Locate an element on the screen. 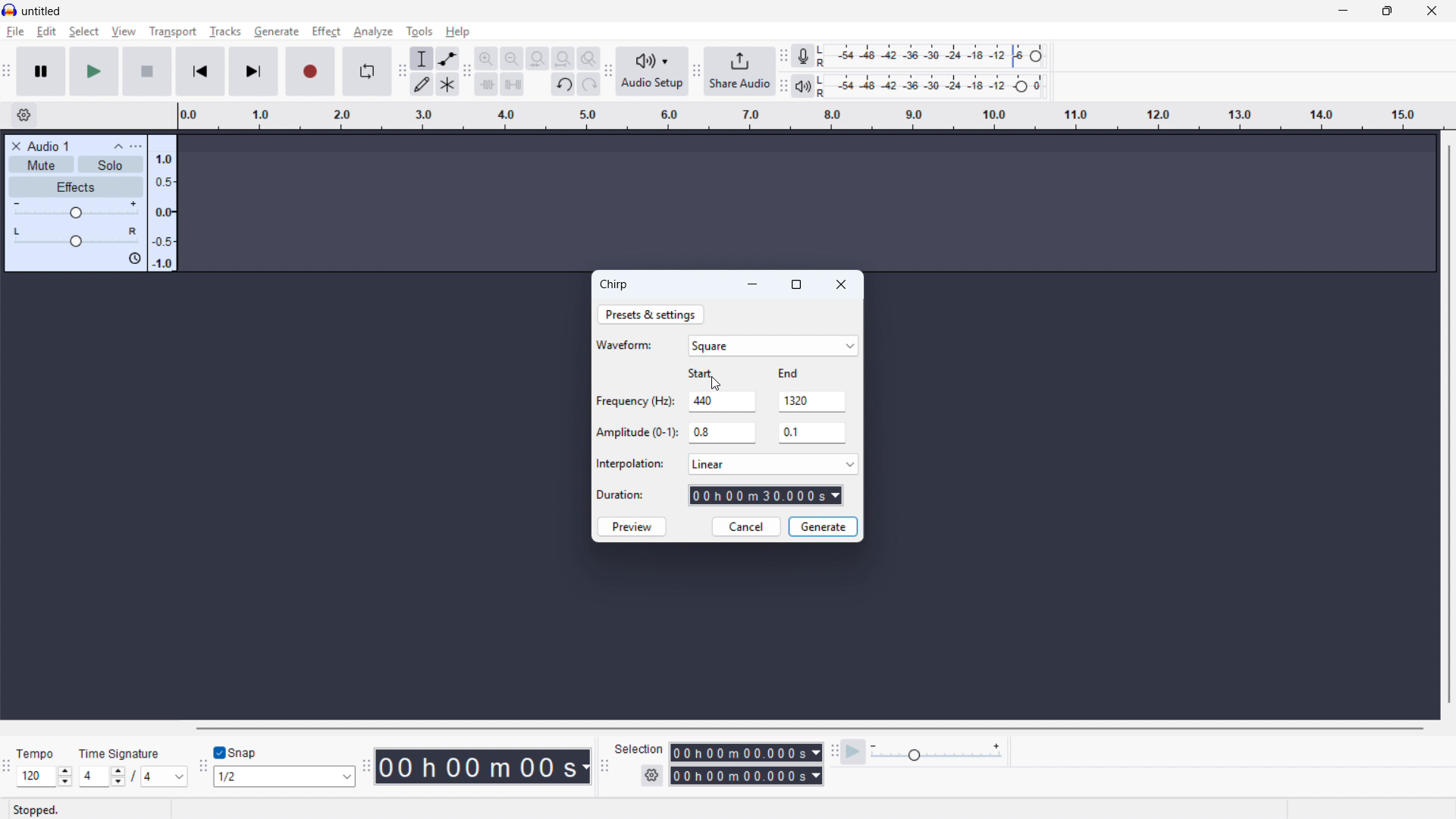 This screenshot has width=1456, height=819. Selection end time is located at coordinates (746, 776).